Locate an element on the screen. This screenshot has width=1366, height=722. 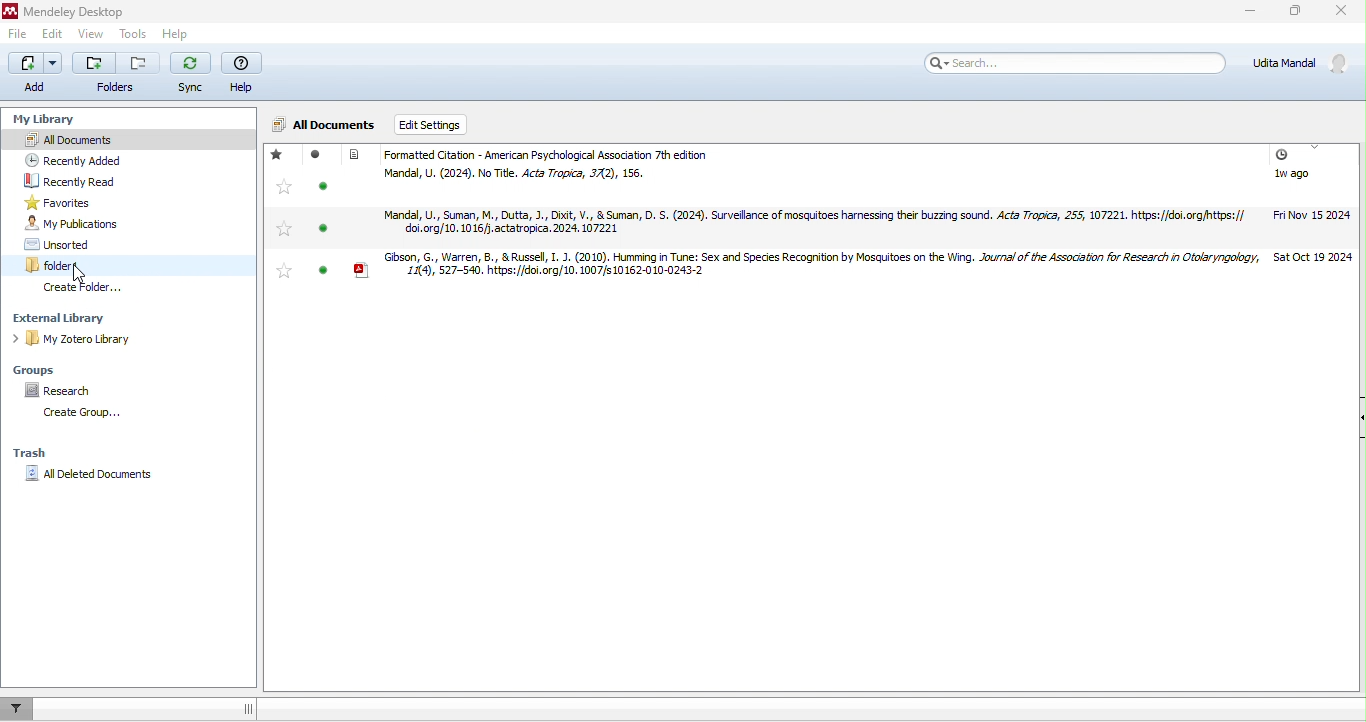
Gbeon, G., Warren, B., & Russel, 1. J. (2010). Humming in Tune: Sex and Spedies Recognition by Mosquitoes on the Wing. Jouma/of the Association for Research ih Otolaryngobogy,
11(4), 527-540. https: //doi.org/10,1007/510162-010-0243-2 is located at coordinates (821, 264).